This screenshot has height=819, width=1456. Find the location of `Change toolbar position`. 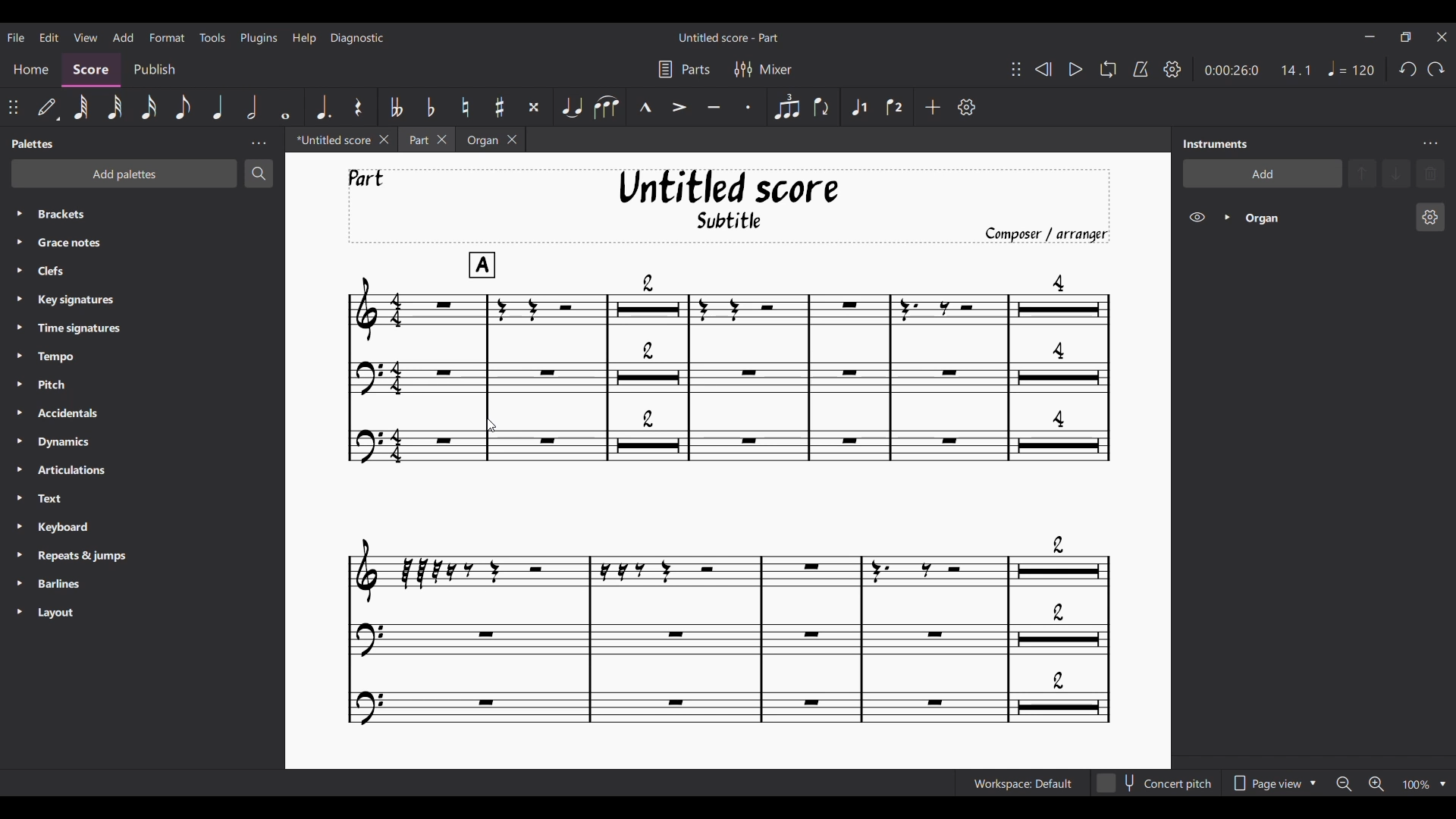

Change toolbar position is located at coordinates (1016, 69).